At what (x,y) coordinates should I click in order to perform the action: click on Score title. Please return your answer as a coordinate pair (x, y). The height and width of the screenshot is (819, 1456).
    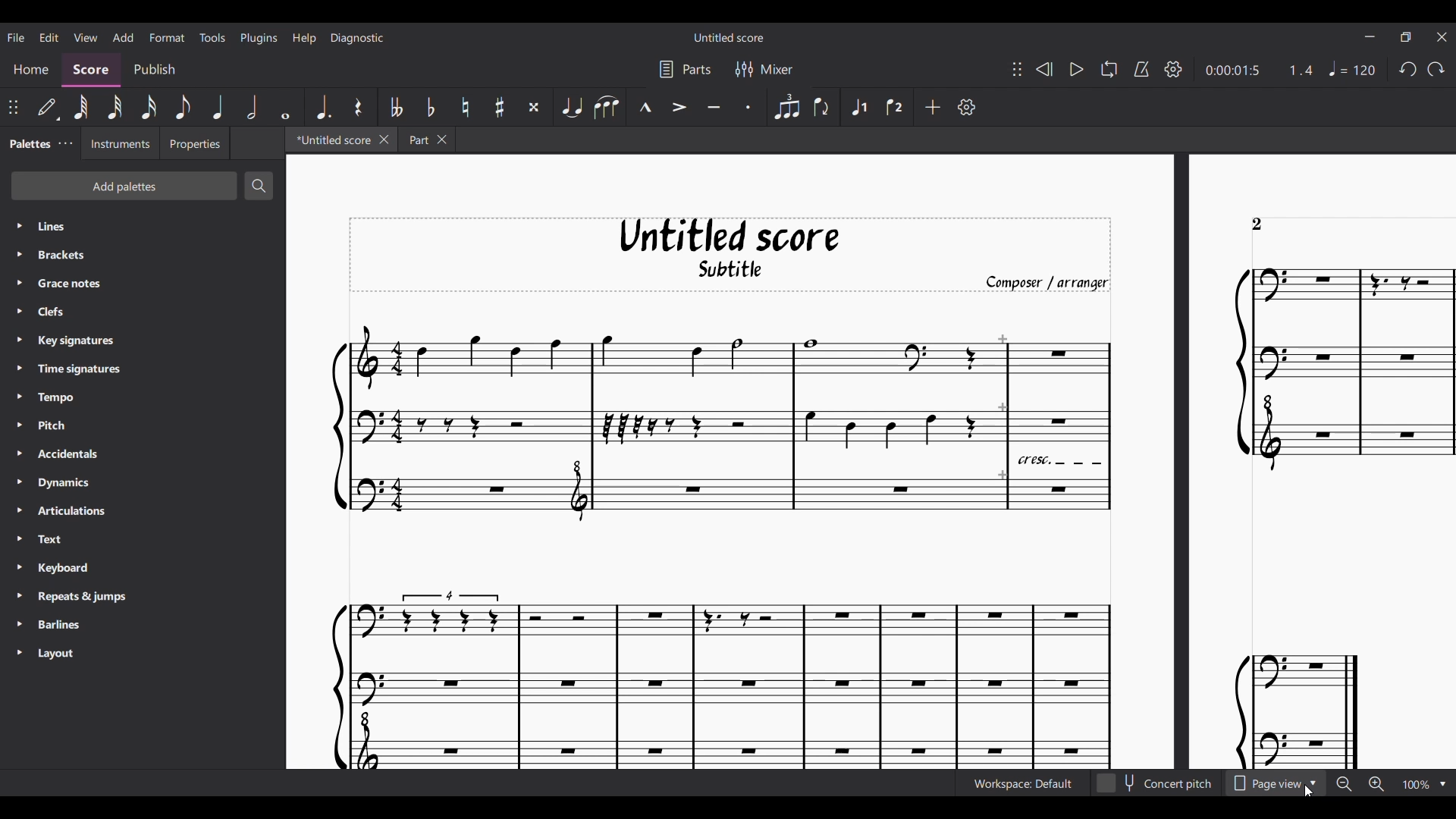
    Looking at the image, I should click on (730, 37).